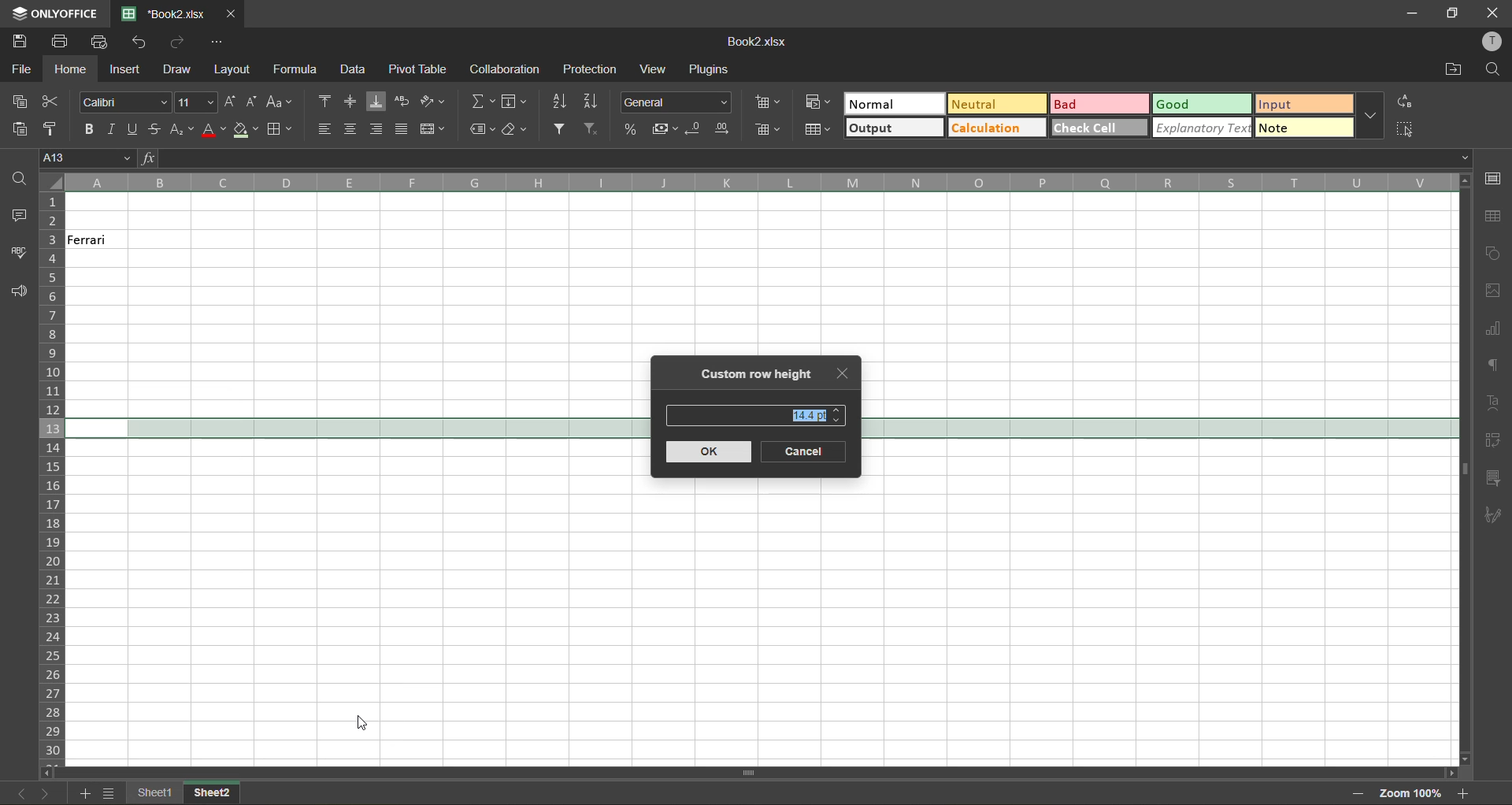  I want to click on insert cells, so click(769, 103).